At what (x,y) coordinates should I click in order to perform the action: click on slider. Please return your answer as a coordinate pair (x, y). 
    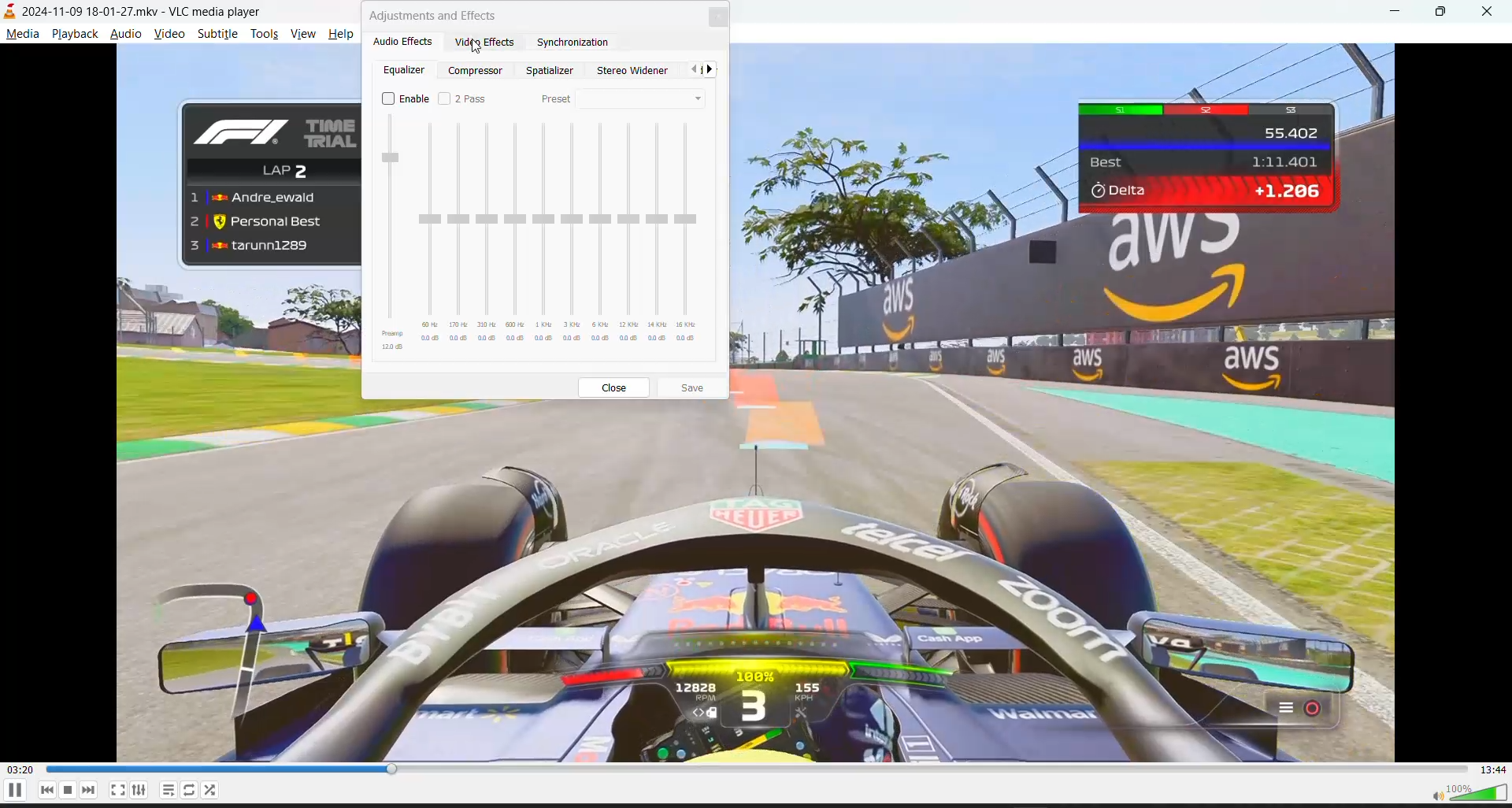
    Looking at the image, I should click on (658, 232).